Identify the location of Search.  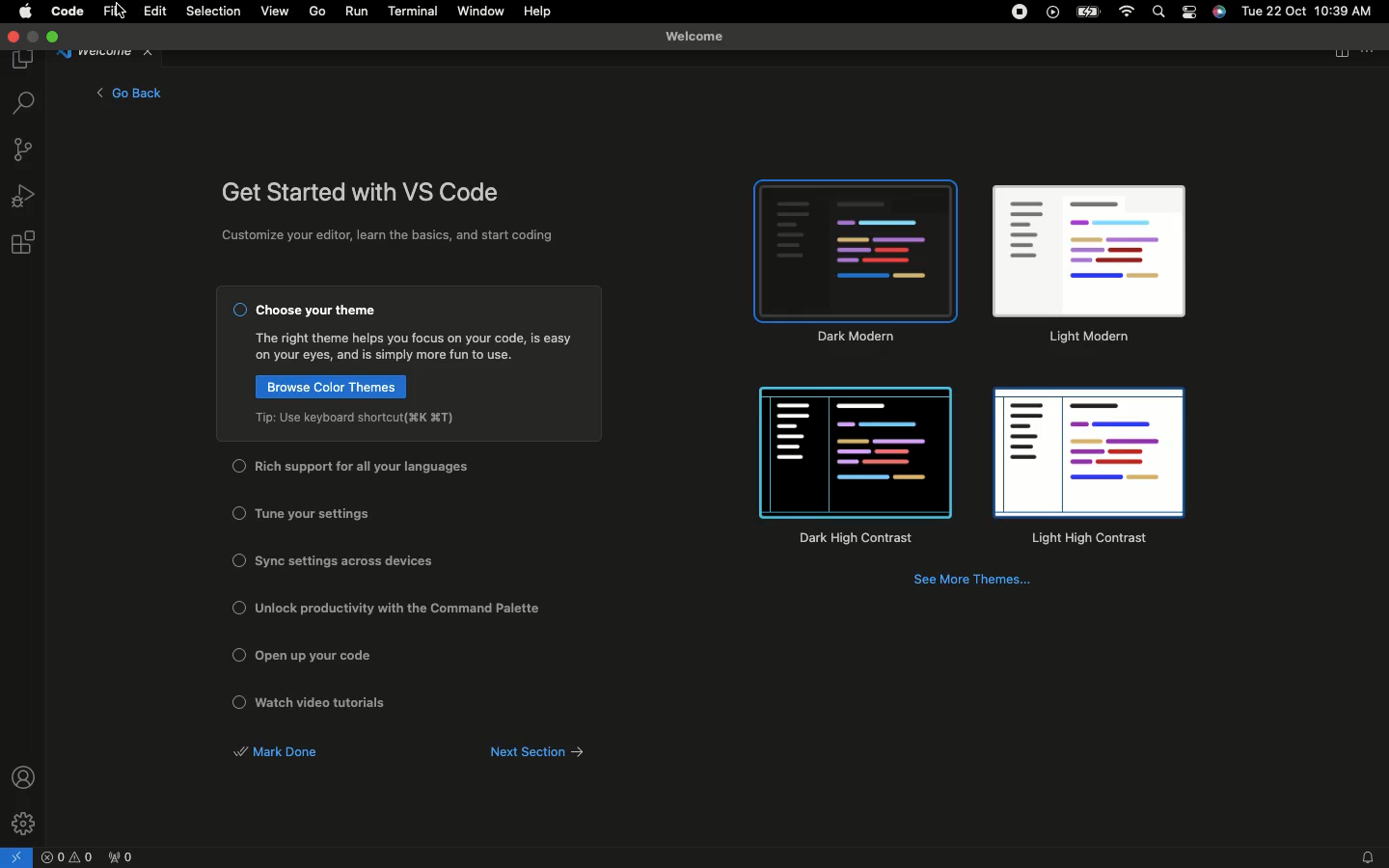
(23, 104).